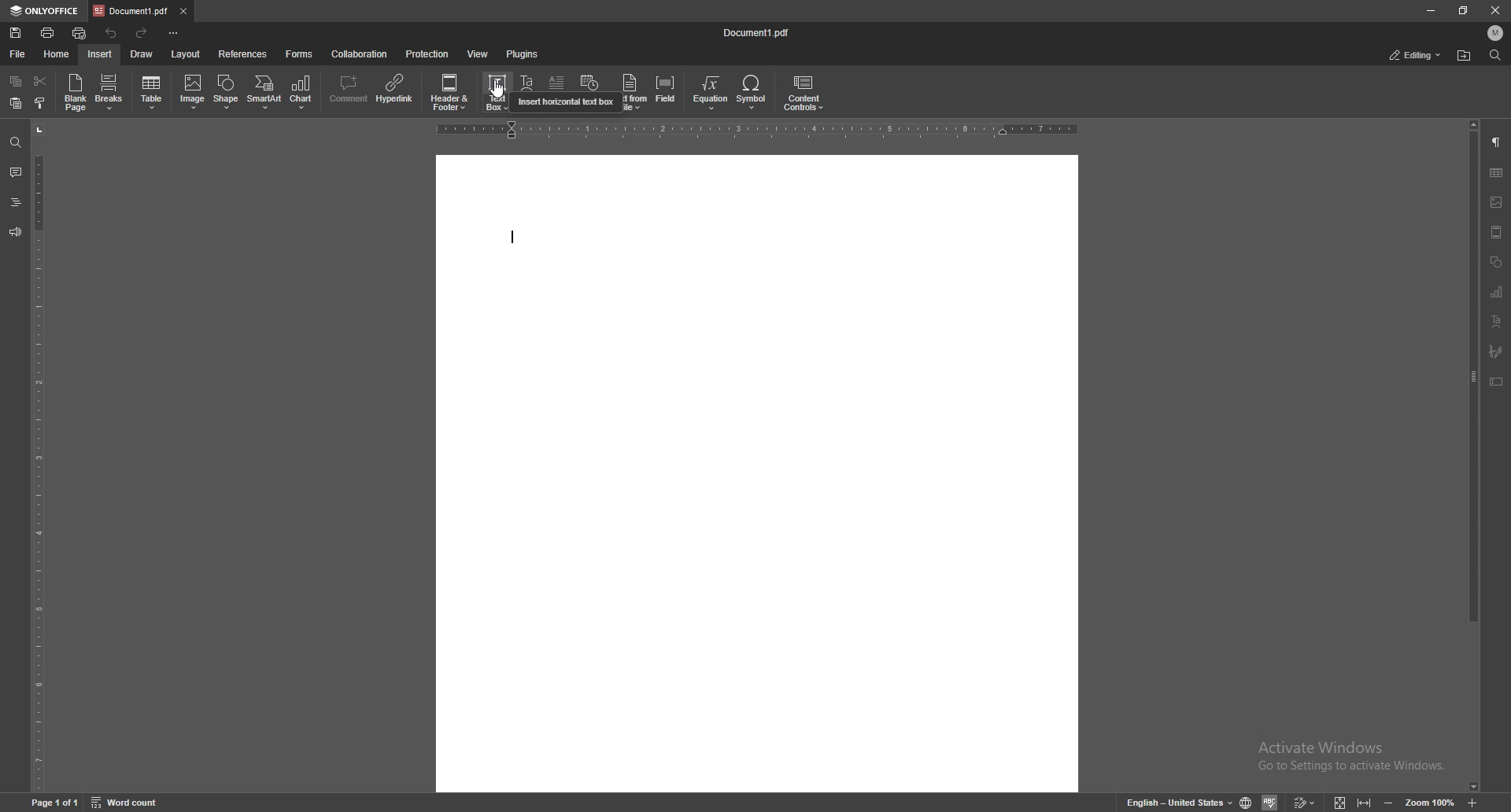 The height and width of the screenshot is (812, 1511). What do you see at coordinates (753, 93) in the screenshot?
I see `symbol` at bounding box center [753, 93].